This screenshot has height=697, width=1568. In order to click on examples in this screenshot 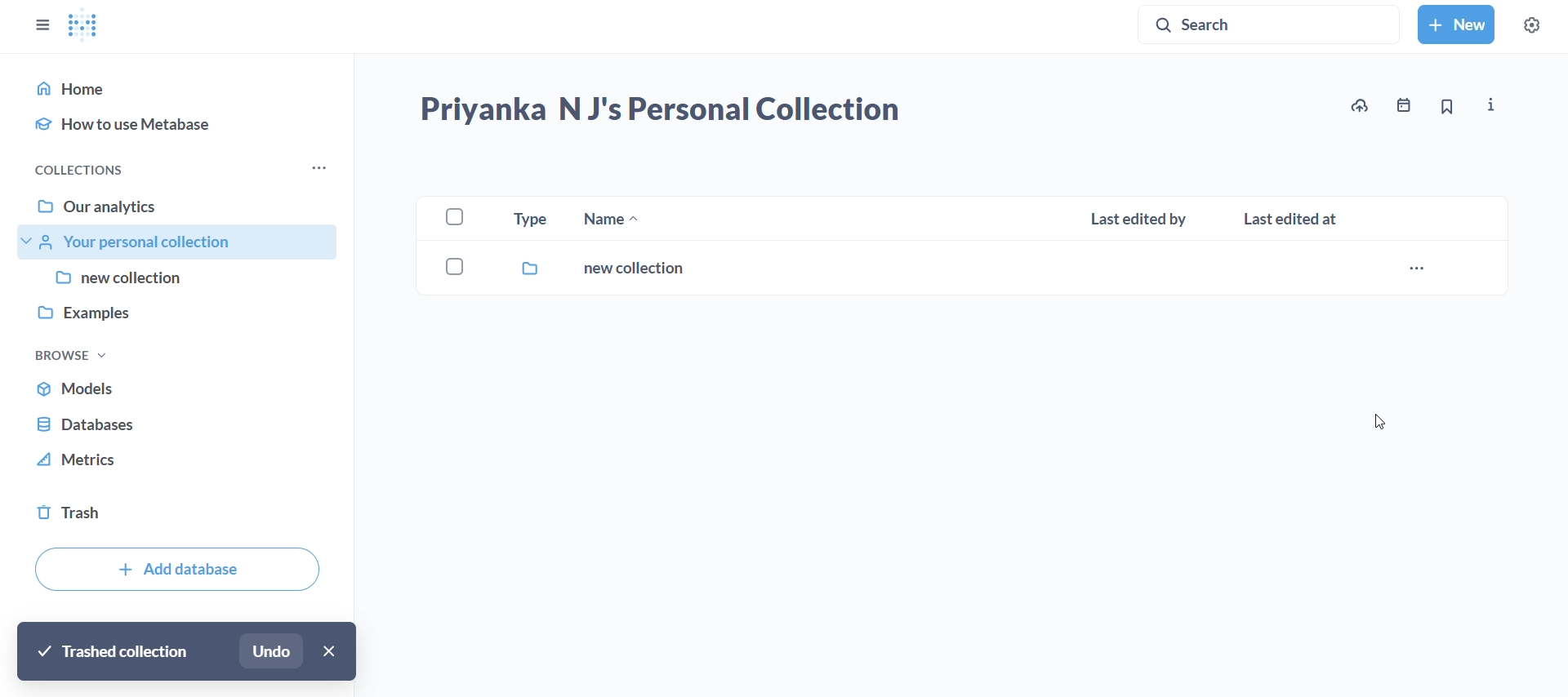, I will do `click(181, 317)`.